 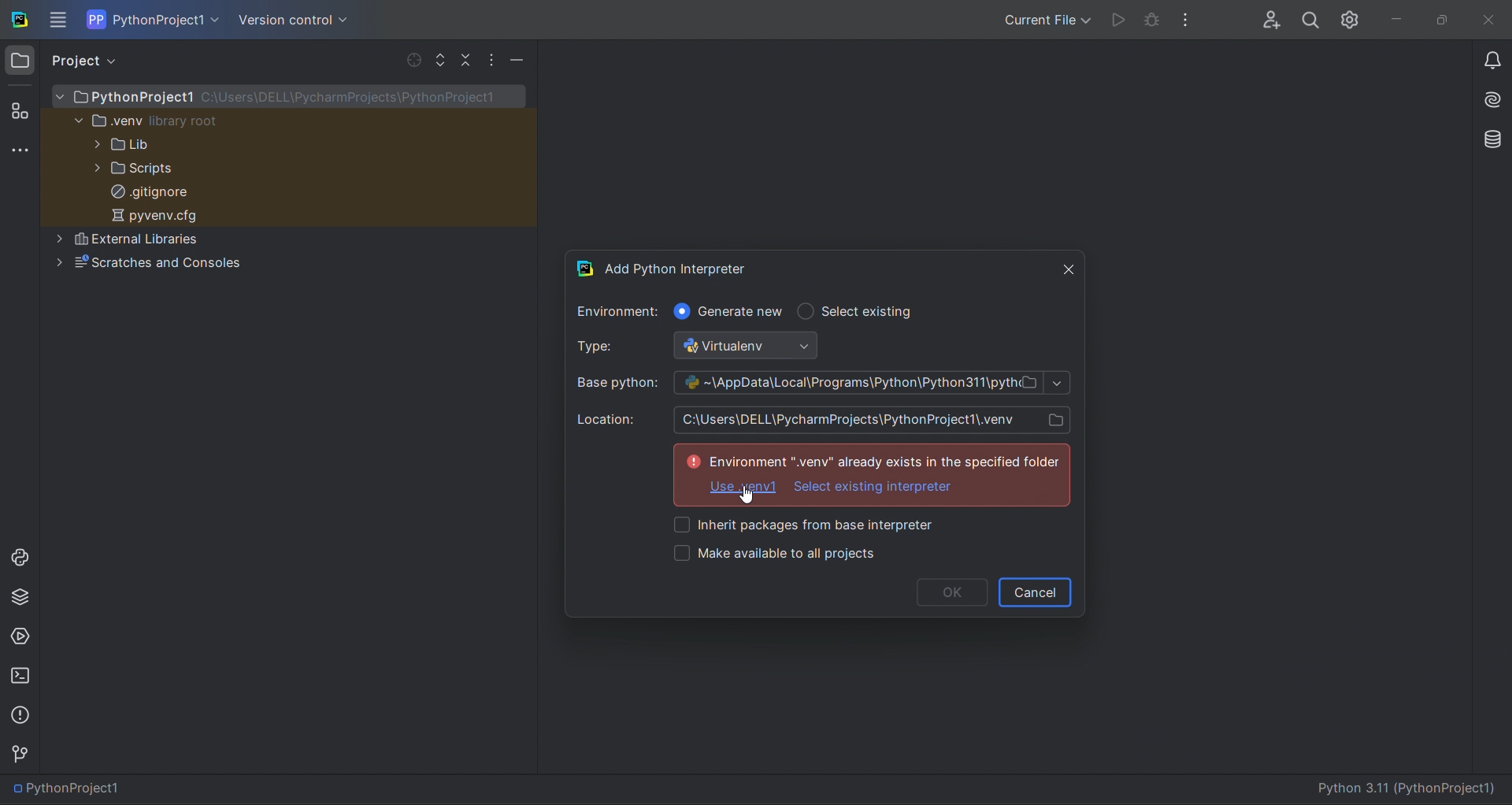 I want to click on services, so click(x=20, y=638).